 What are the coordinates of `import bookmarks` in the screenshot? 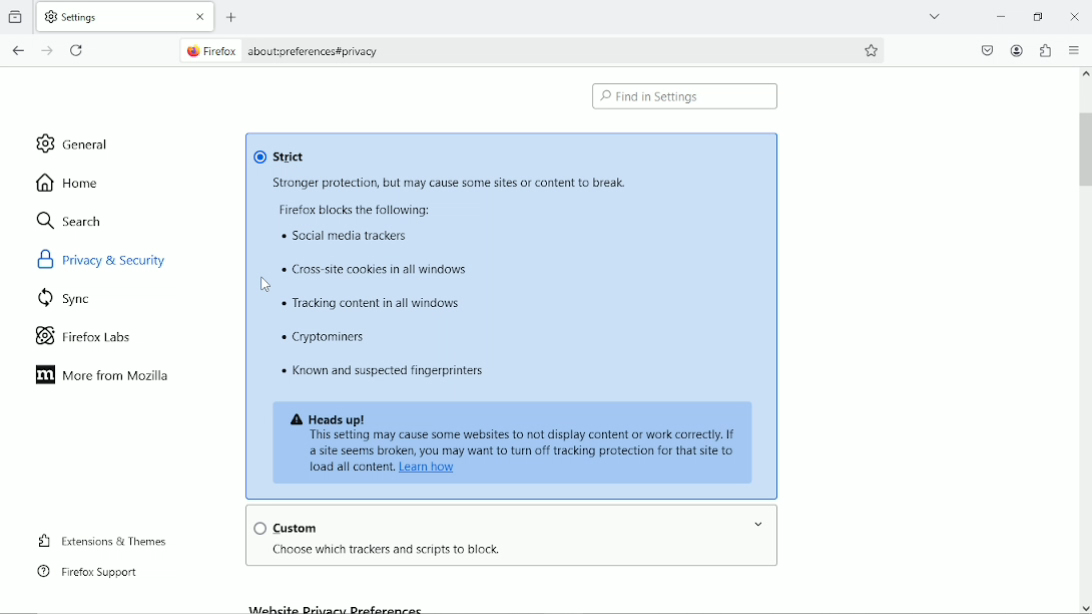 It's located at (66, 79).